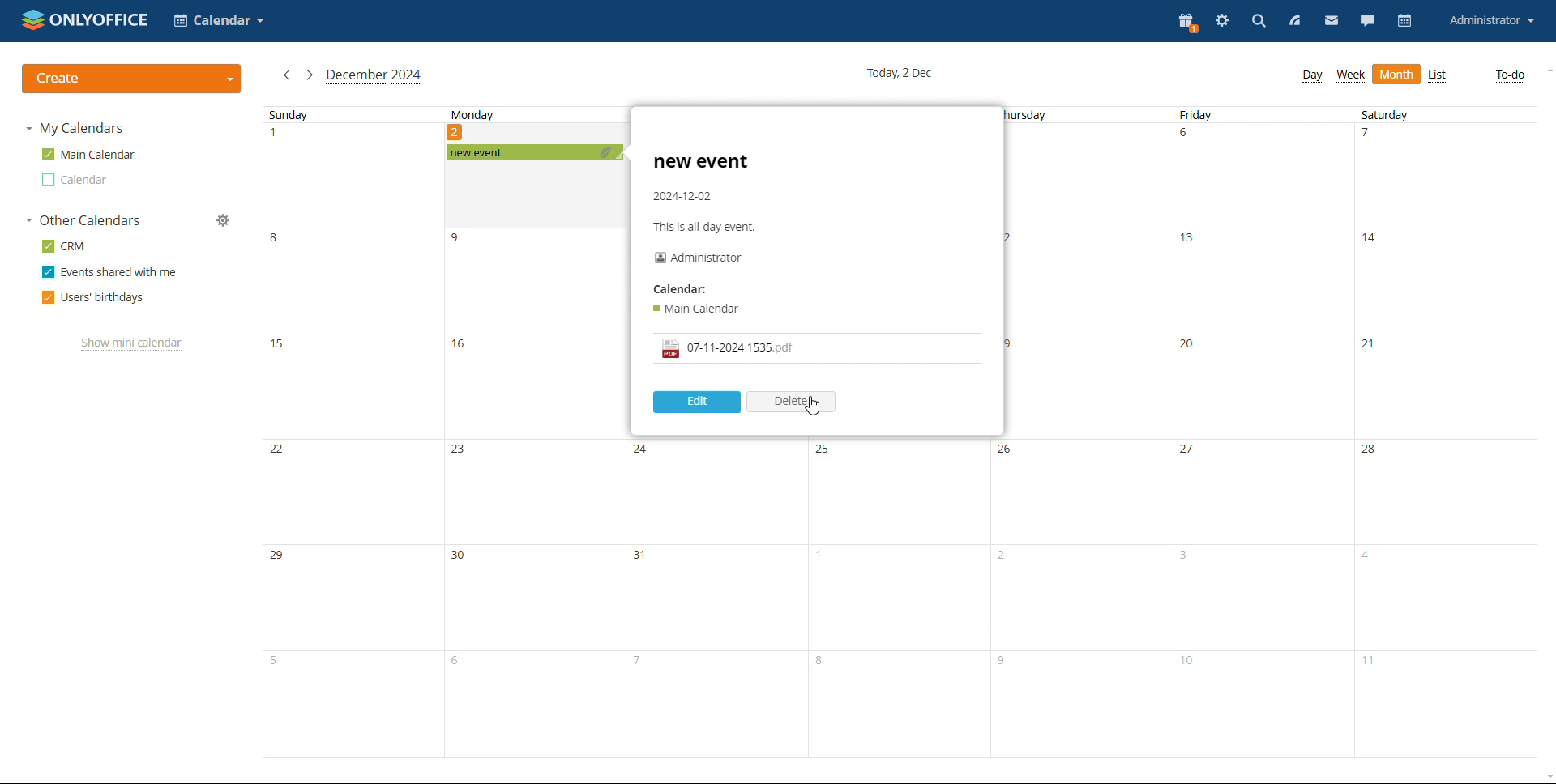 Image resolution: width=1556 pixels, height=784 pixels. Describe the element at coordinates (74, 180) in the screenshot. I see `Calendar` at that location.